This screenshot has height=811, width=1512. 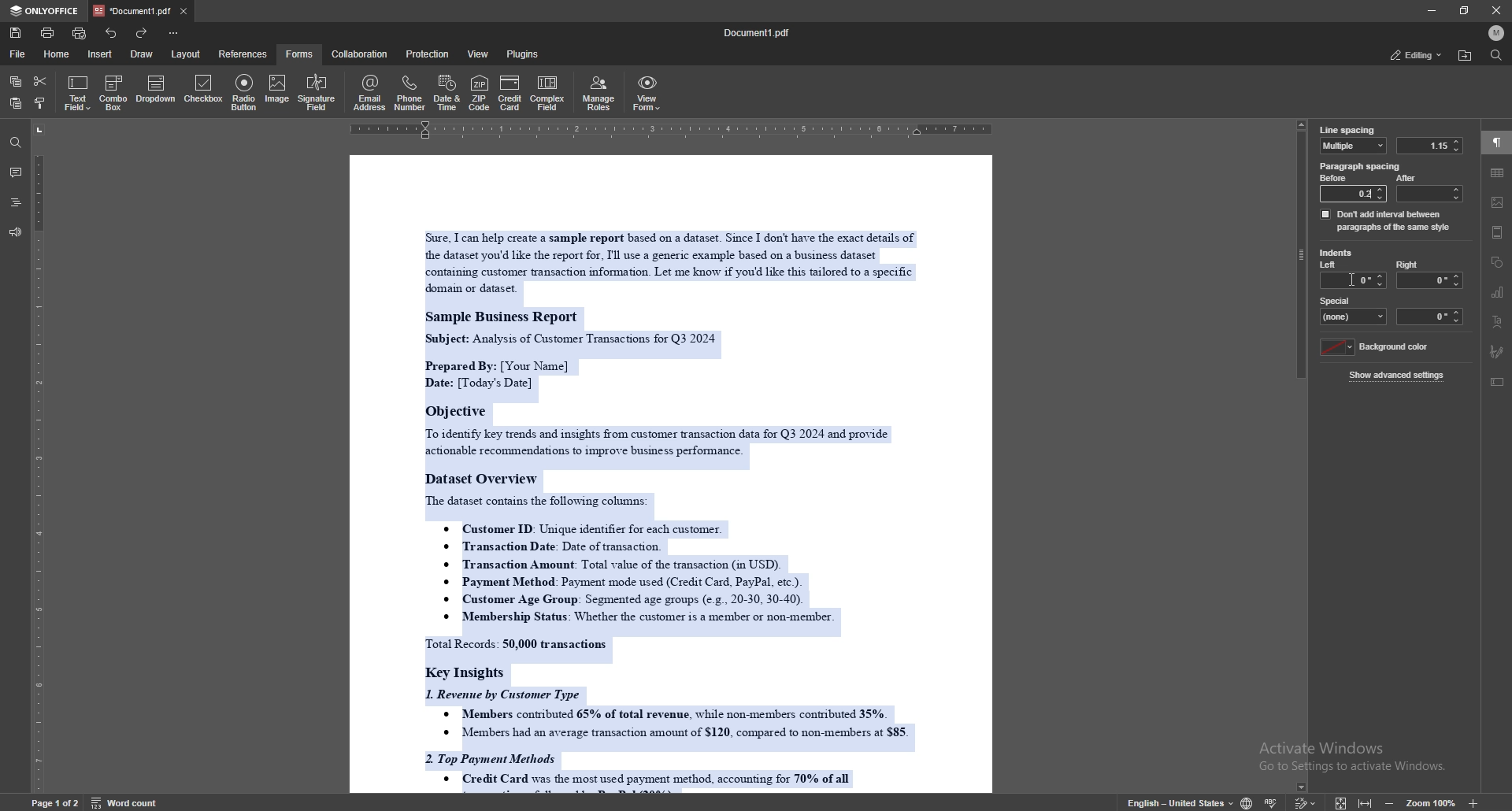 I want to click on credit card, so click(x=510, y=92).